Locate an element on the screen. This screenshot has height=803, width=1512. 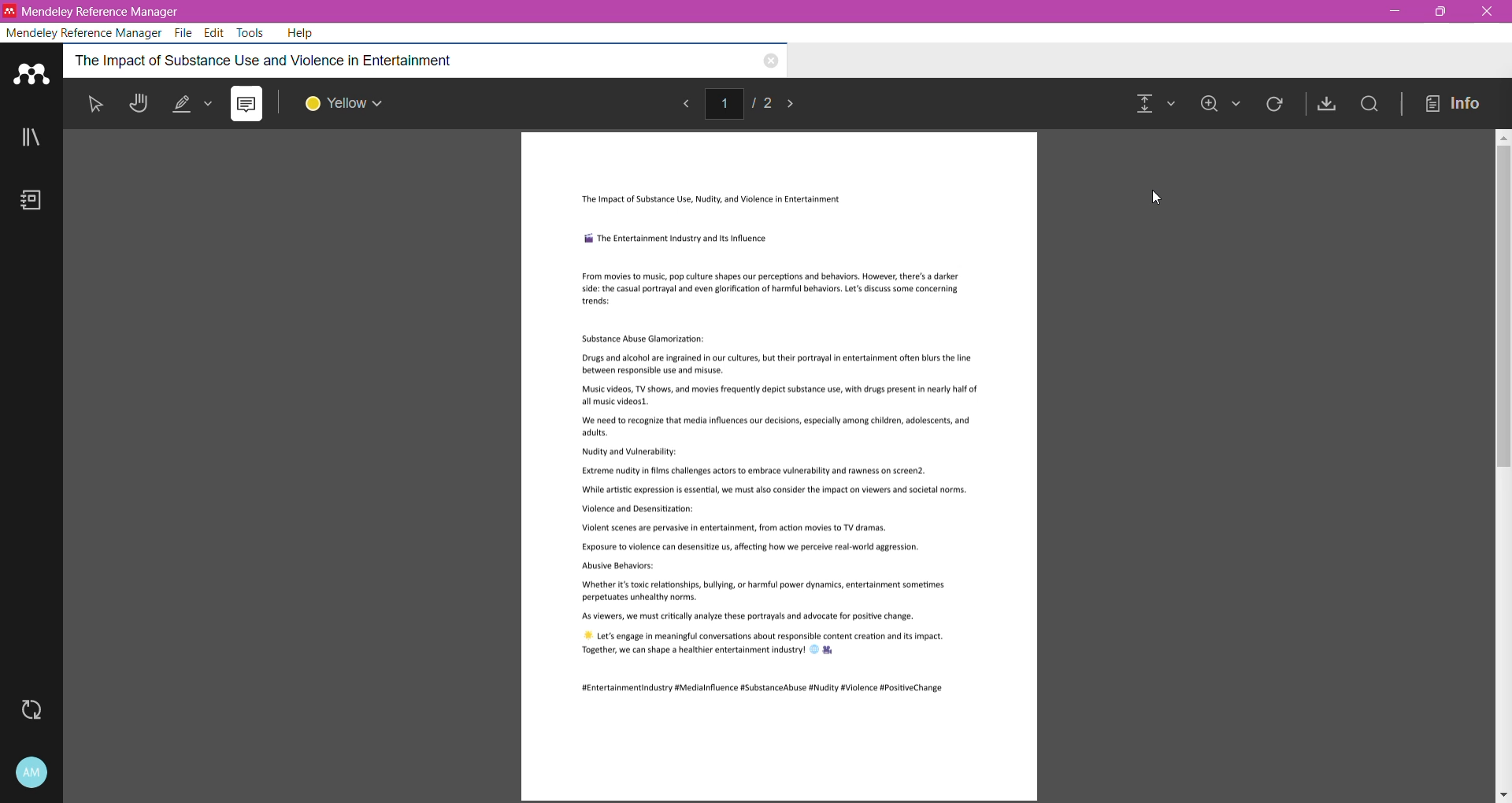
Cursor is located at coordinates (1158, 198).